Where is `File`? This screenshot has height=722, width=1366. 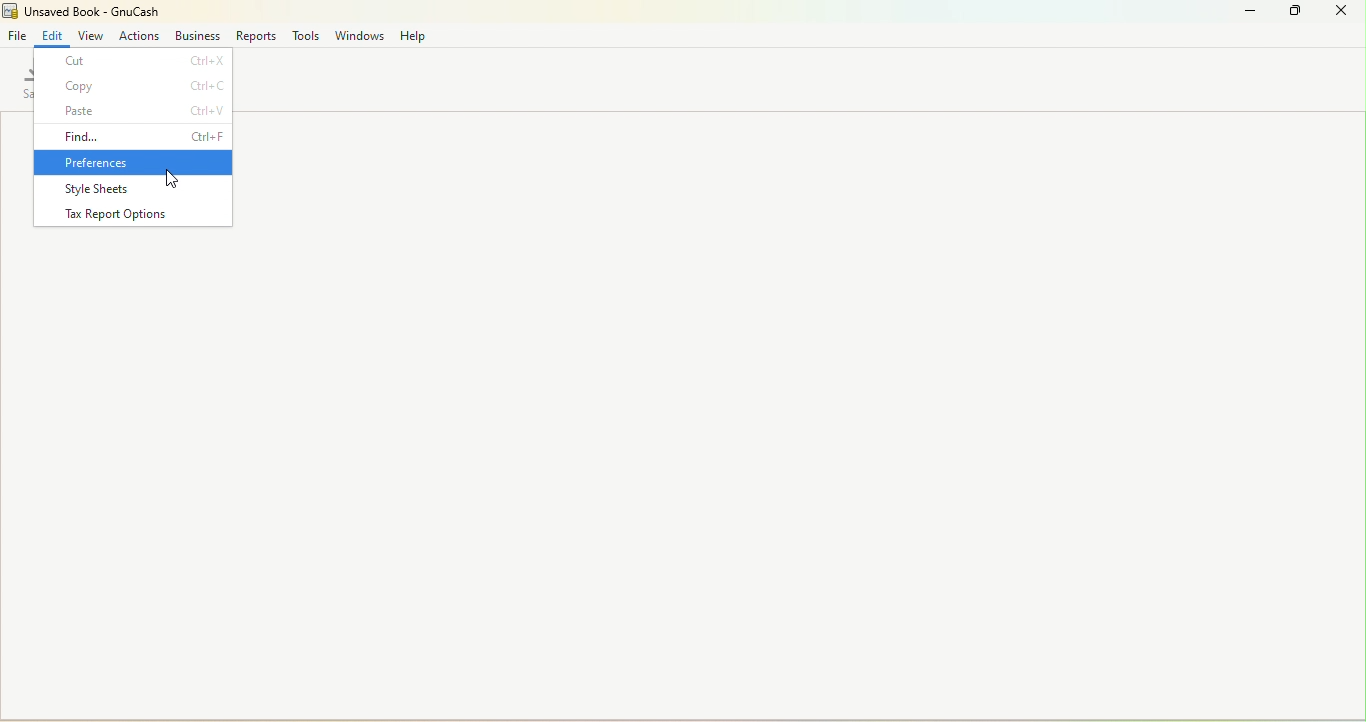
File is located at coordinates (17, 34).